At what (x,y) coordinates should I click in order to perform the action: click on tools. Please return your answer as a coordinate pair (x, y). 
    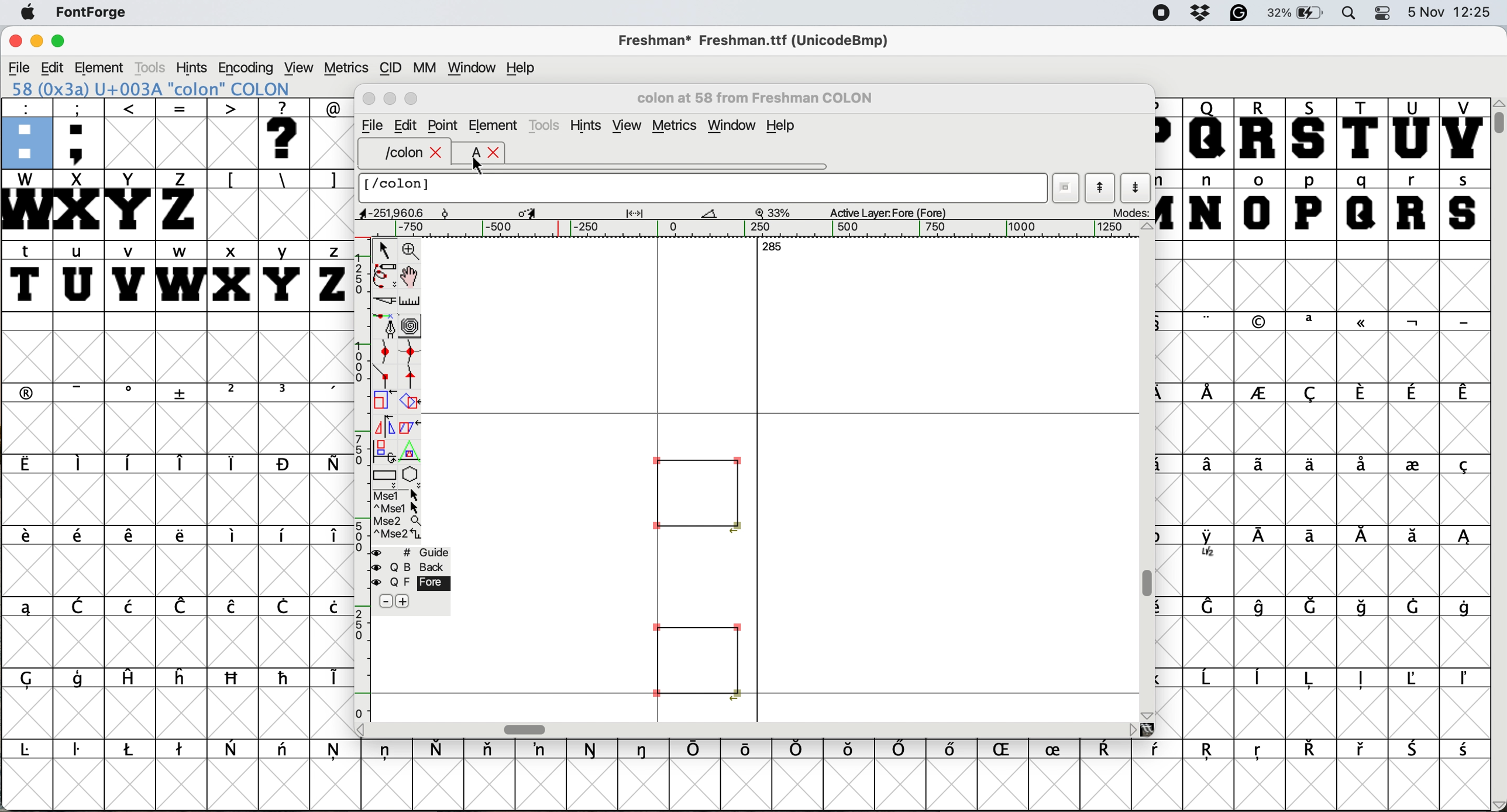
    Looking at the image, I should click on (155, 66).